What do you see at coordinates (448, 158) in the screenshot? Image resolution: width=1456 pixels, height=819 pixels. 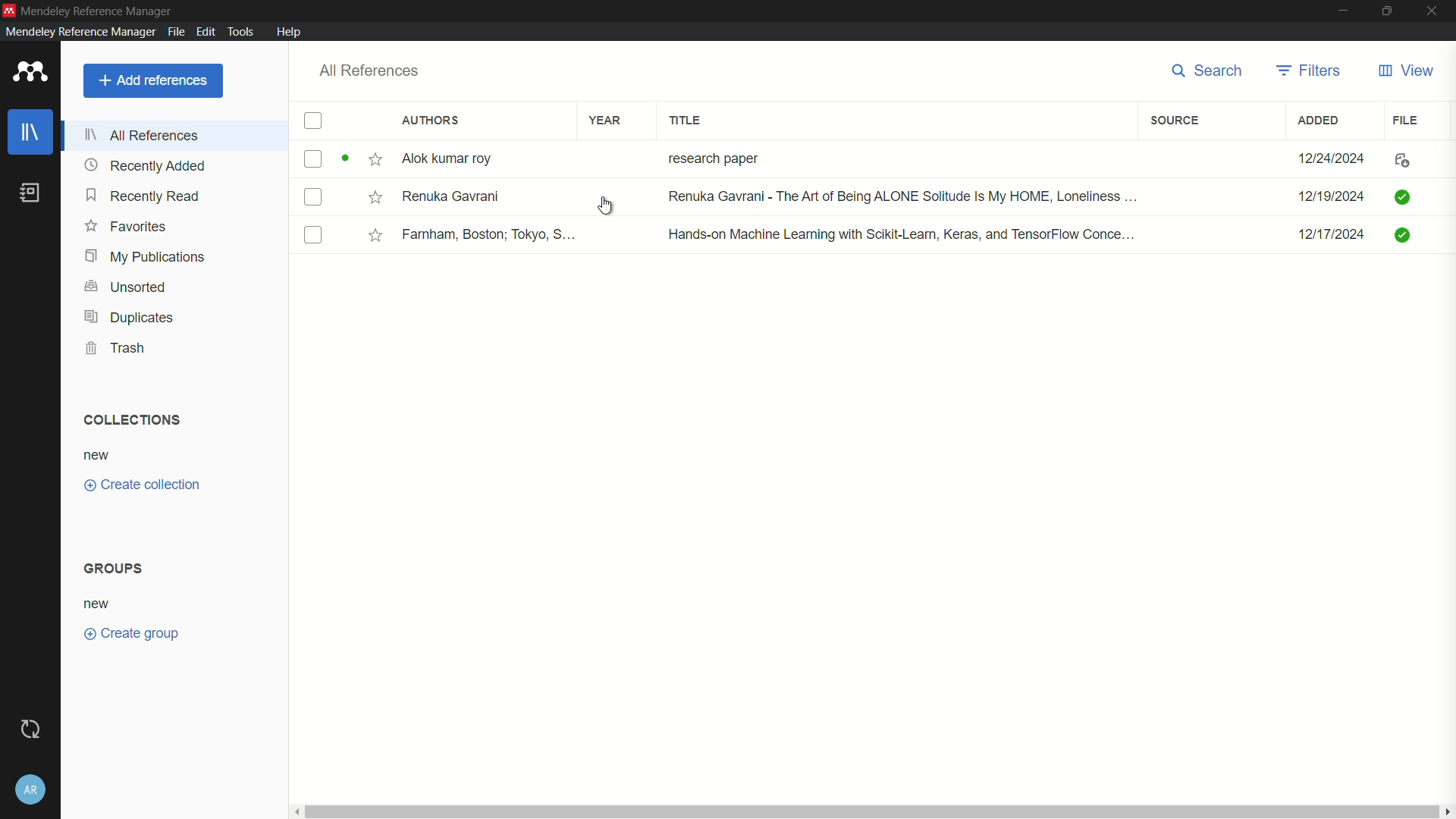 I see `Alok kumar roy` at bounding box center [448, 158].